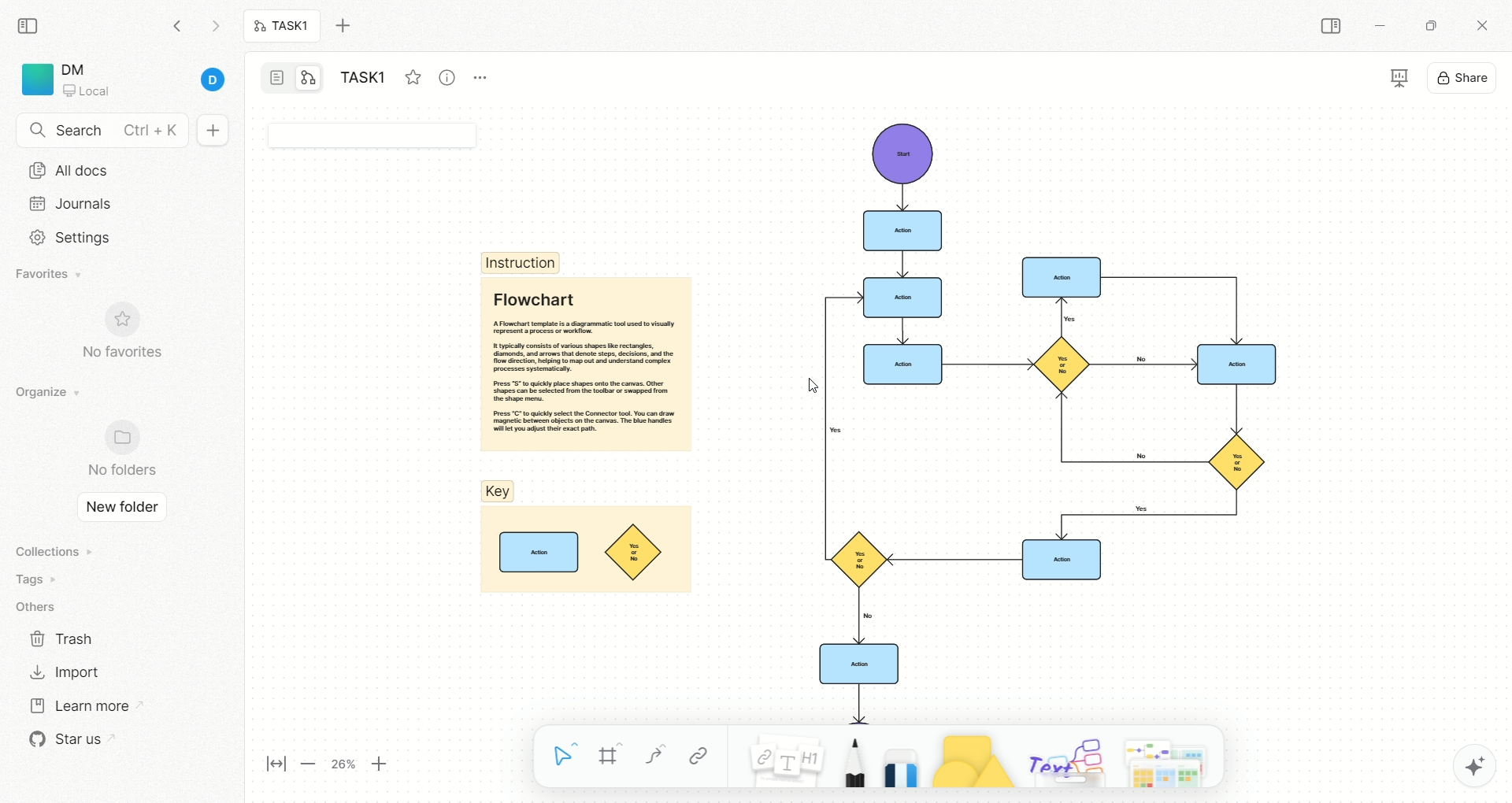 This screenshot has width=1512, height=803. Describe the element at coordinates (215, 30) in the screenshot. I see `go forward` at that location.